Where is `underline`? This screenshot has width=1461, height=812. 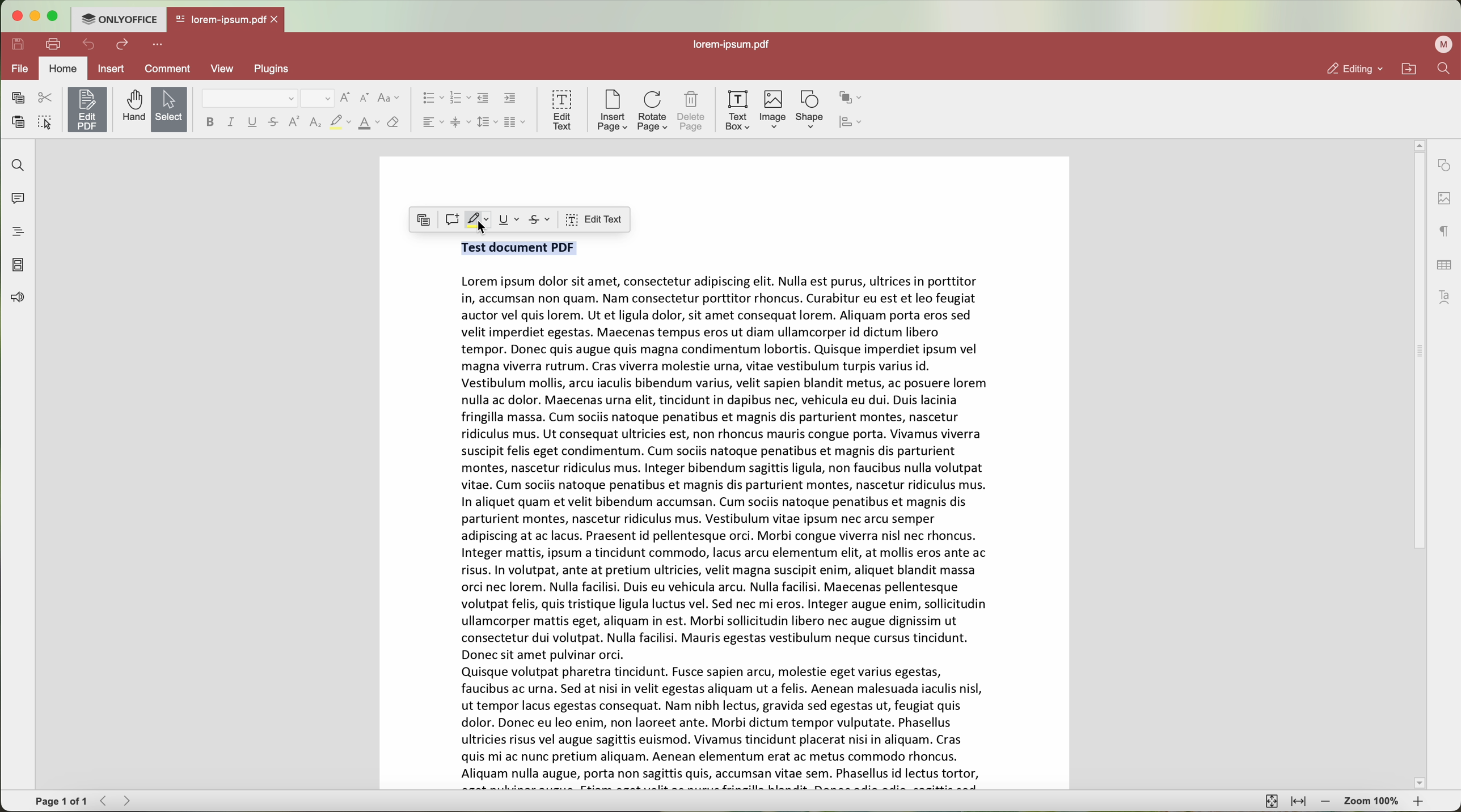 underline is located at coordinates (510, 221).